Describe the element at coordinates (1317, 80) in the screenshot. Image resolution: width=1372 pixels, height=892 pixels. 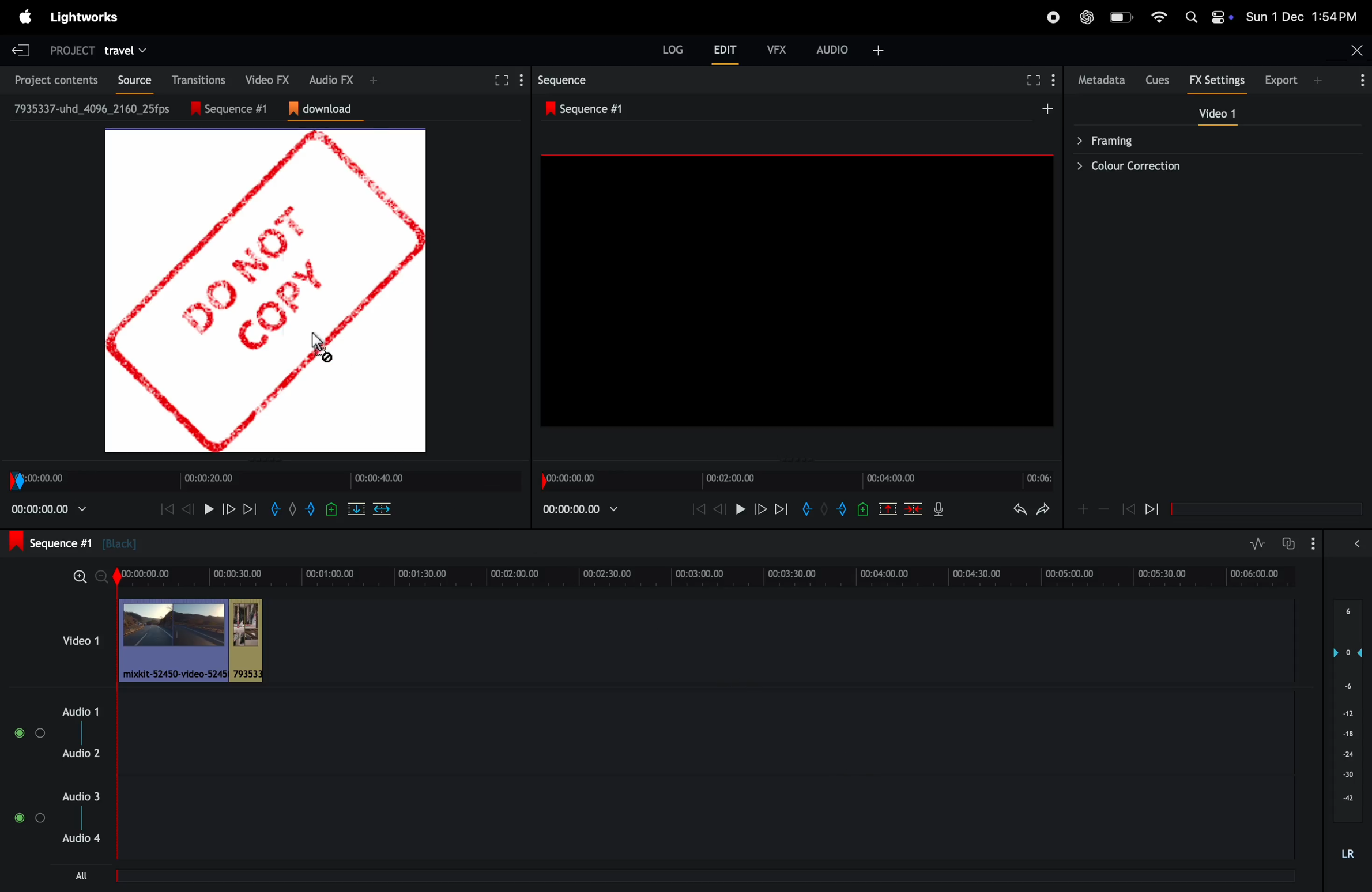
I see `Add` at that location.